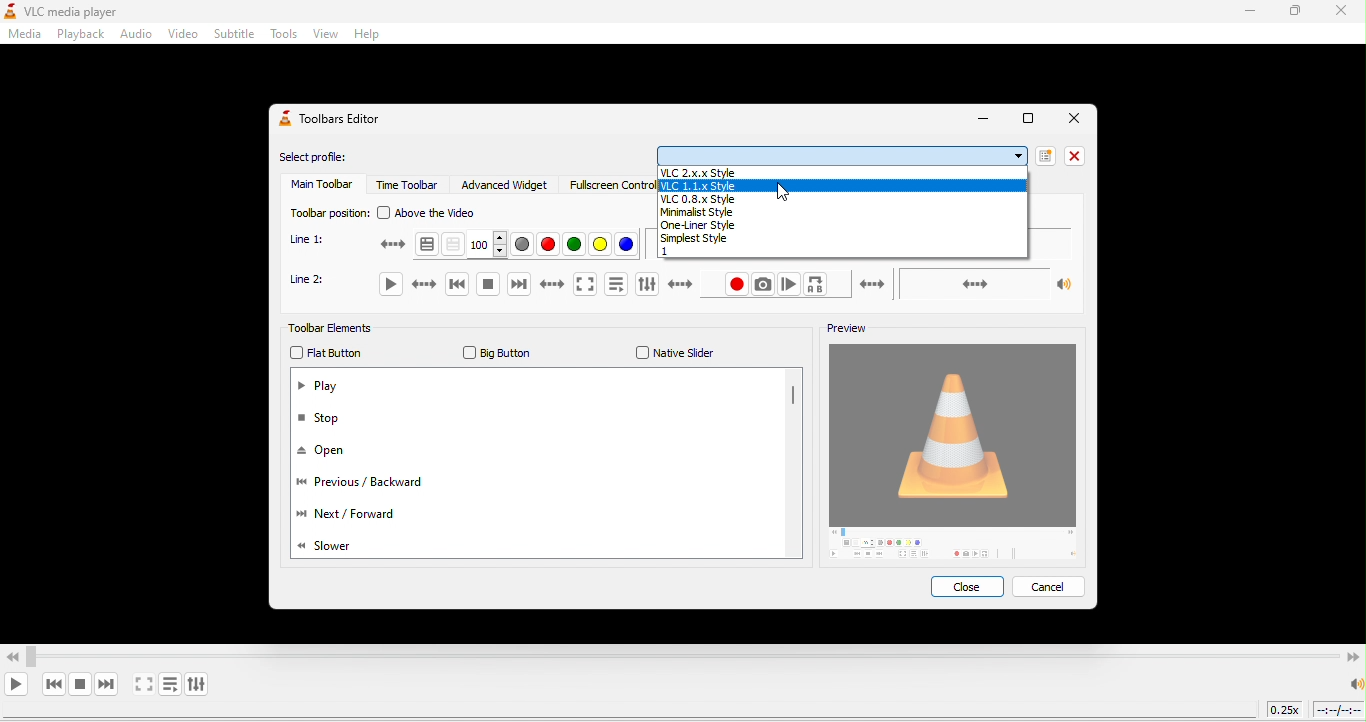 The width and height of the screenshot is (1366, 722). Describe the element at coordinates (330, 452) in the screenshot. I see `open` at that location.